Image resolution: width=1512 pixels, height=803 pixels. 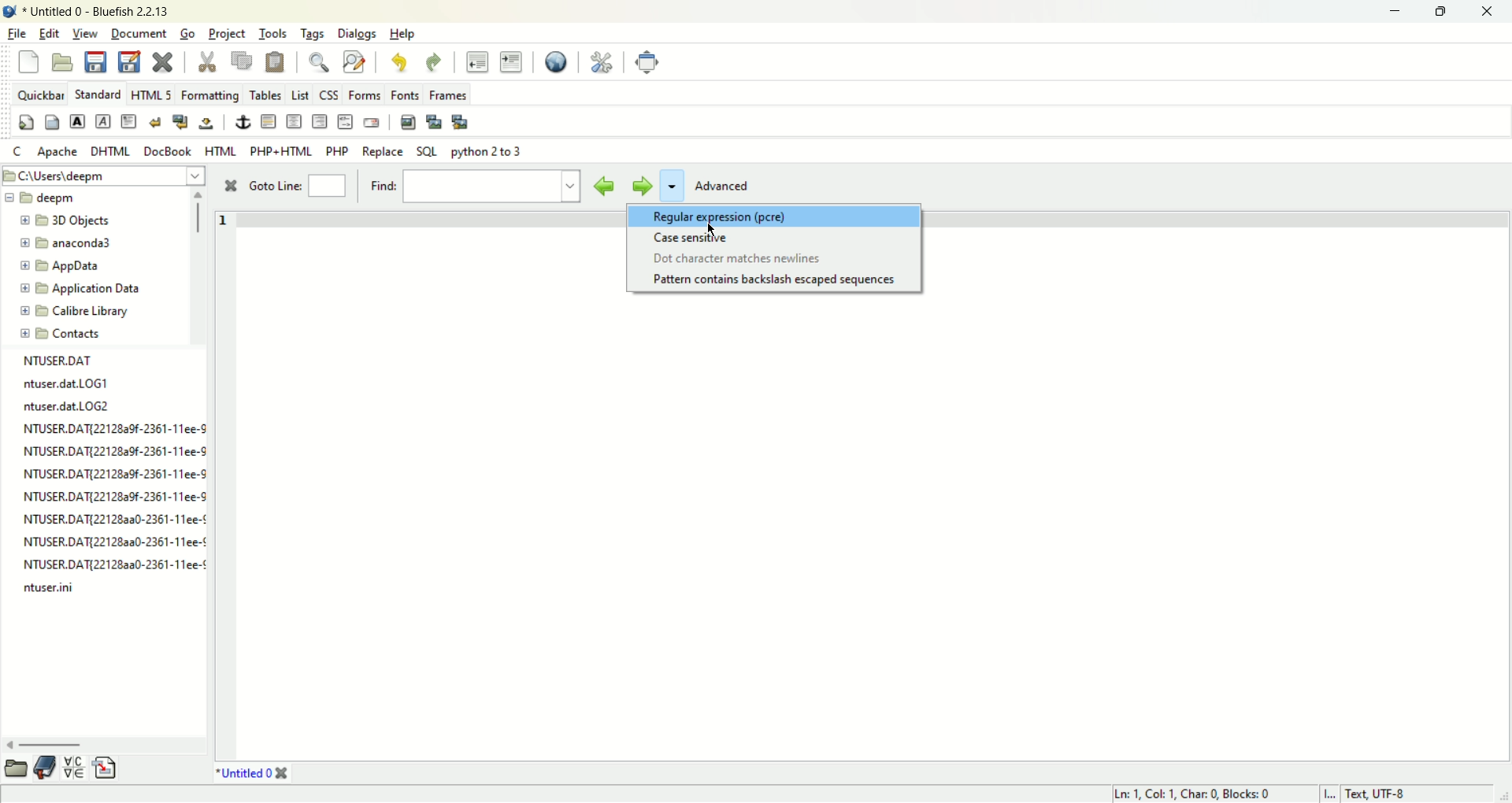 What do you see at coordinates (103, 122) in the screenshot?
I see `emphasis` at bounding box center [103, 122].